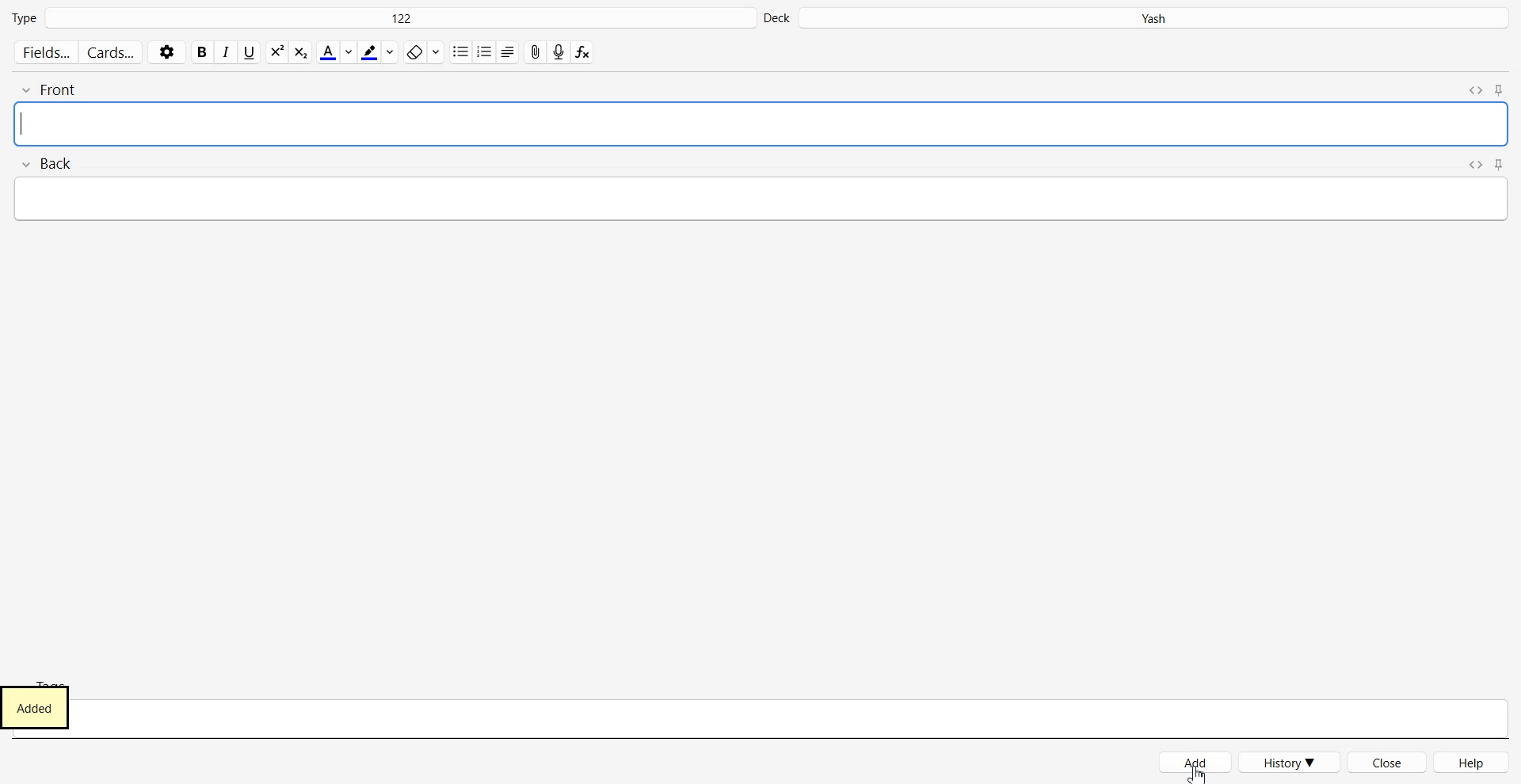  I want to click on Settings, so click(167, 51).